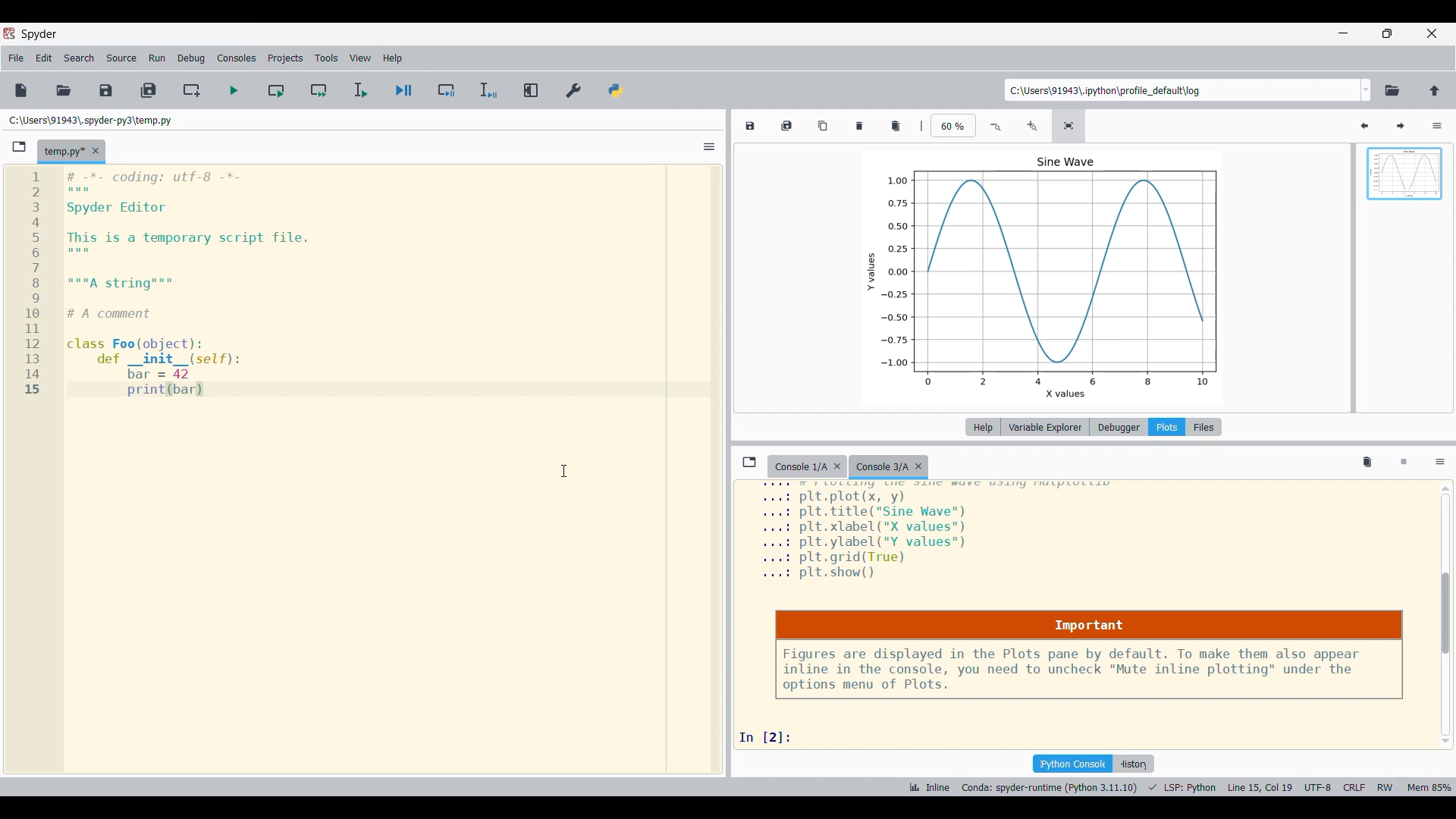 The width and height of the screenshot is (1456, 819). I want to click on Projects menu, so click(286, 58).